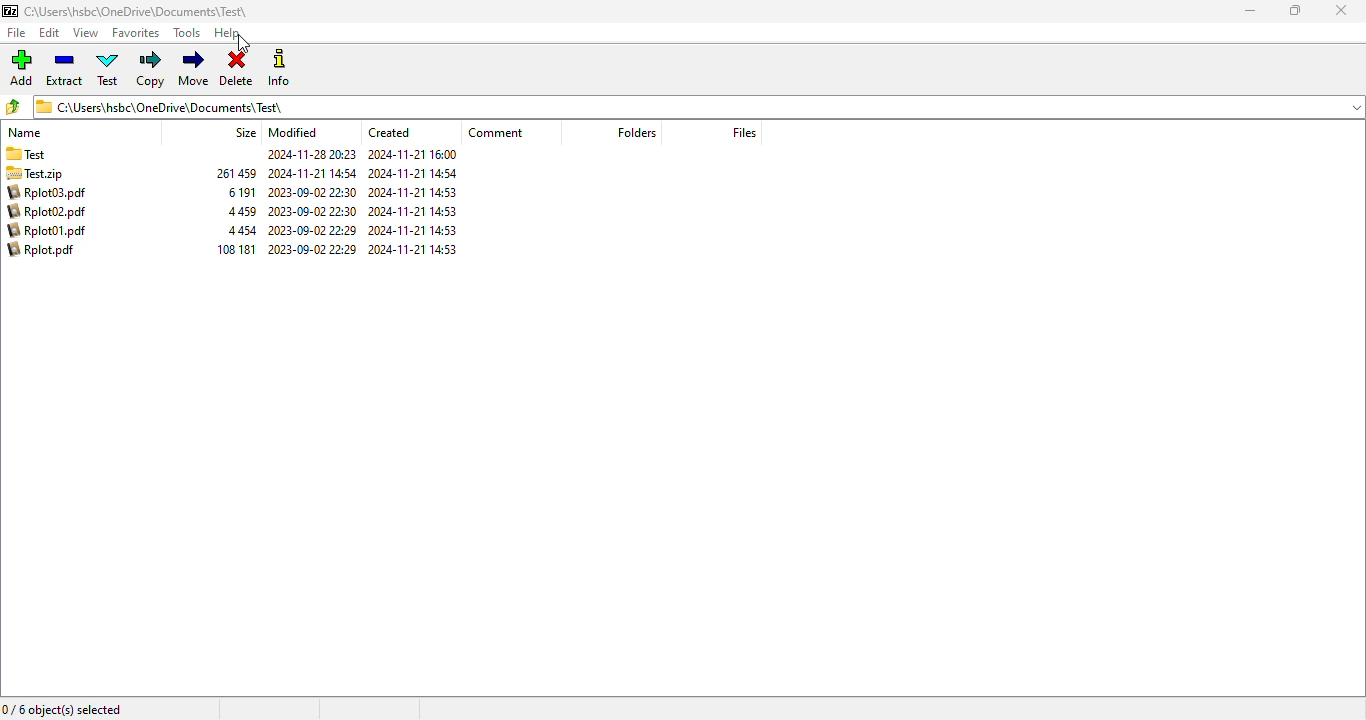 The image size is (1366, 720). What do you see at coordinates (635, 132) in the screenshot?
I see `folders` at bounding box center [635, 132].